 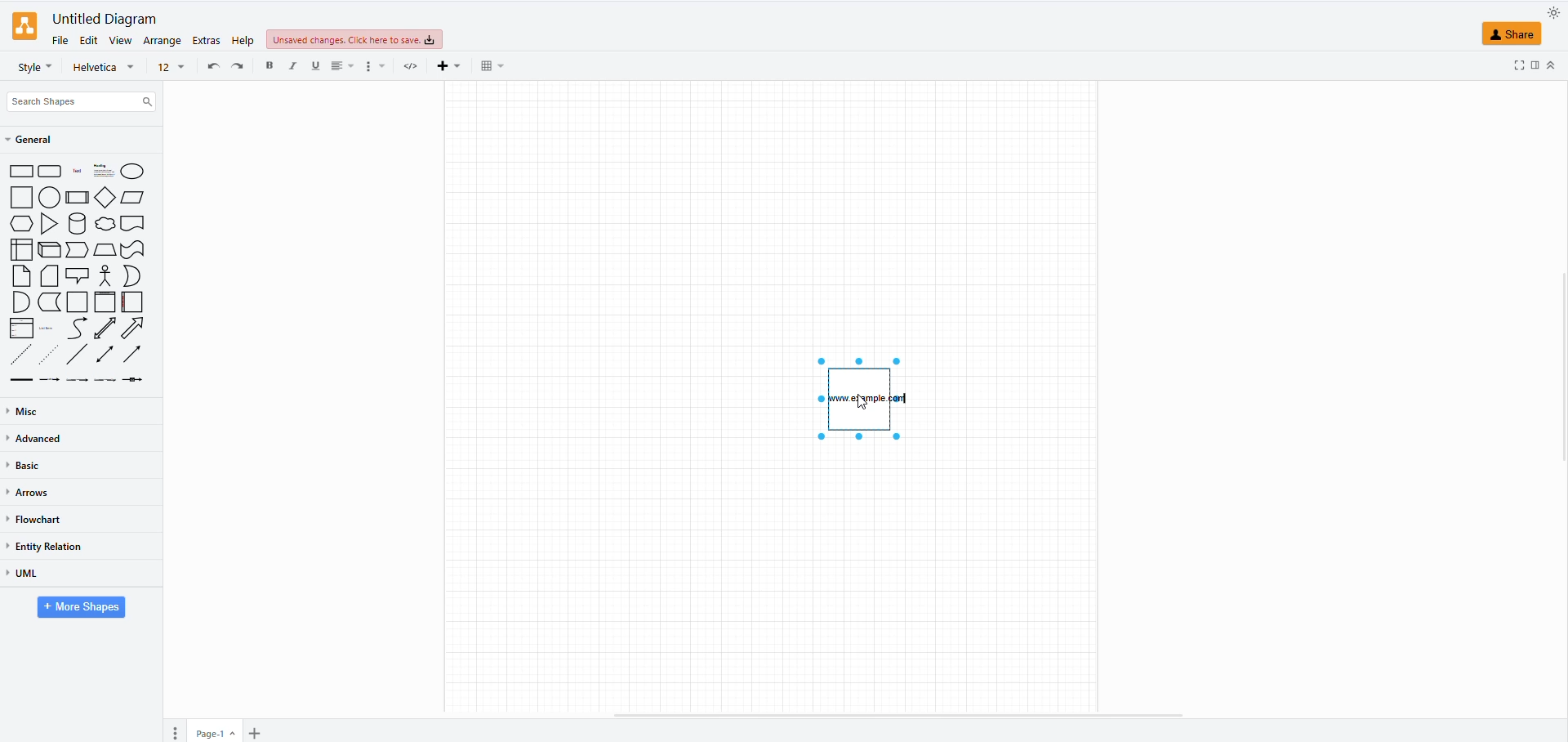 What do you see at coordinates (296, 65) in the screenshot?
I see `italic` at bounding box center [296, 65].